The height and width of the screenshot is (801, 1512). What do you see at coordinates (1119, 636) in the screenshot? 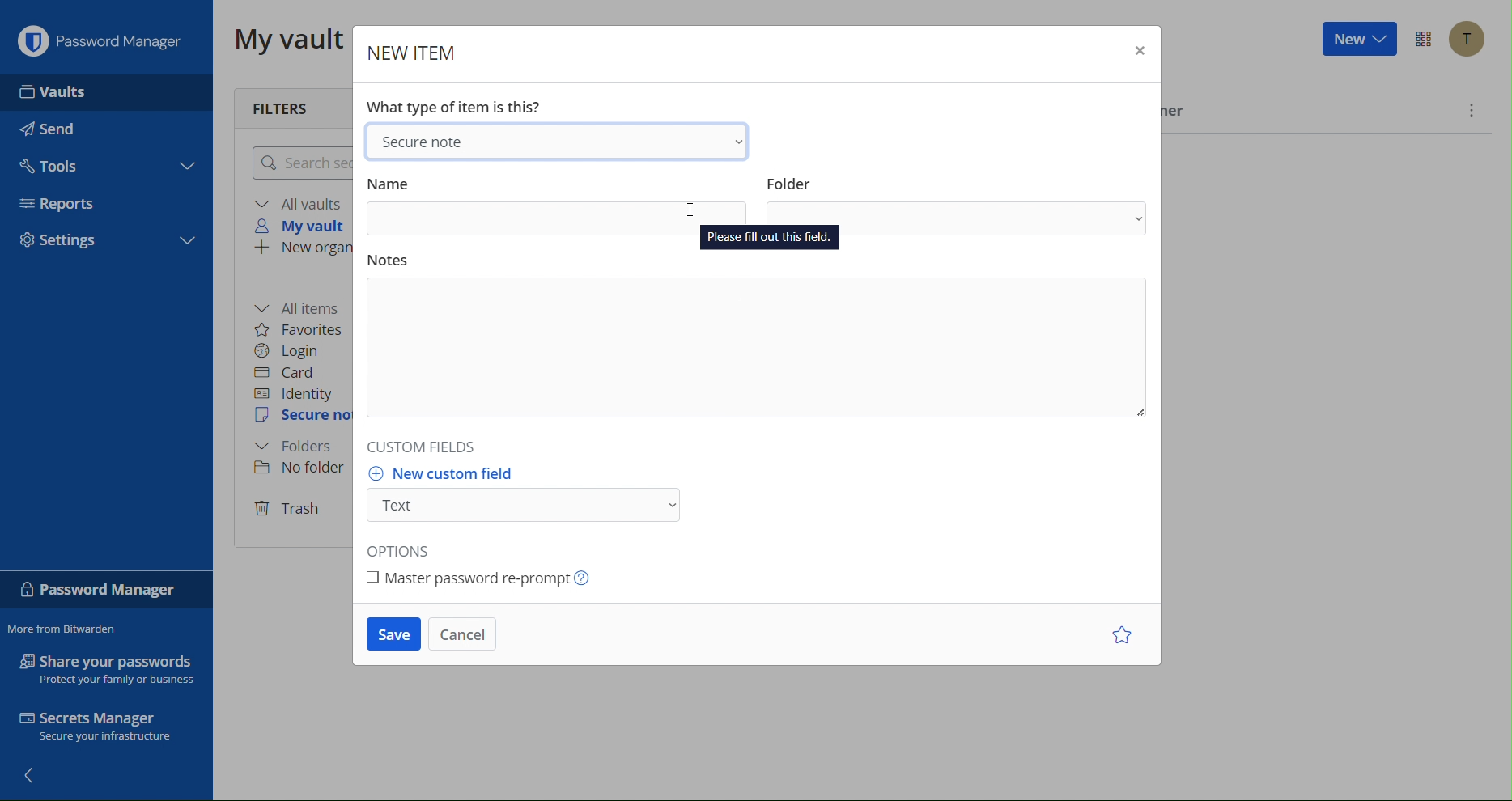
I see `Star` at bounding box center [1119, 636].